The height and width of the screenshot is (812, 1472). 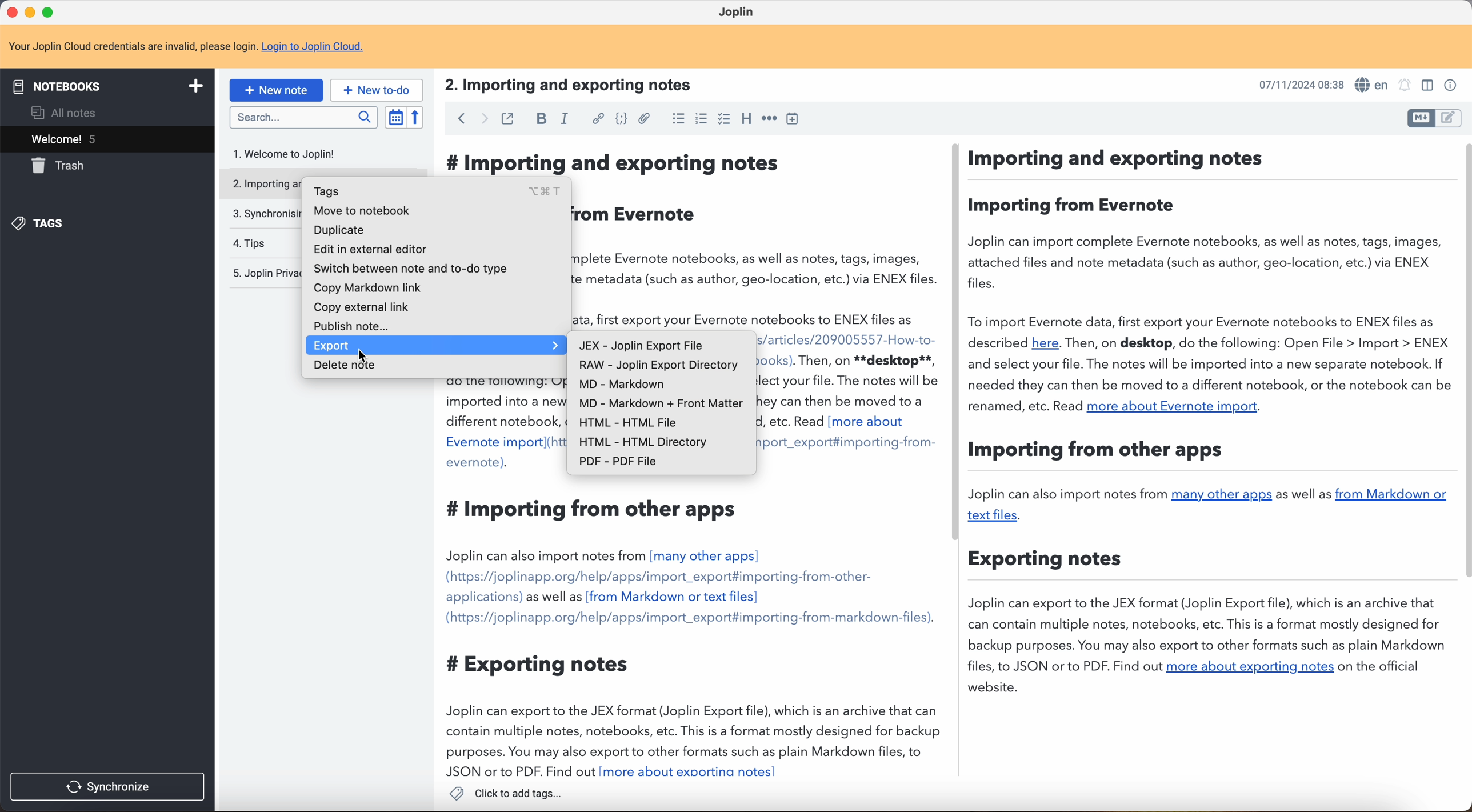 I want to click on delete note, so click(x=352, y=369).